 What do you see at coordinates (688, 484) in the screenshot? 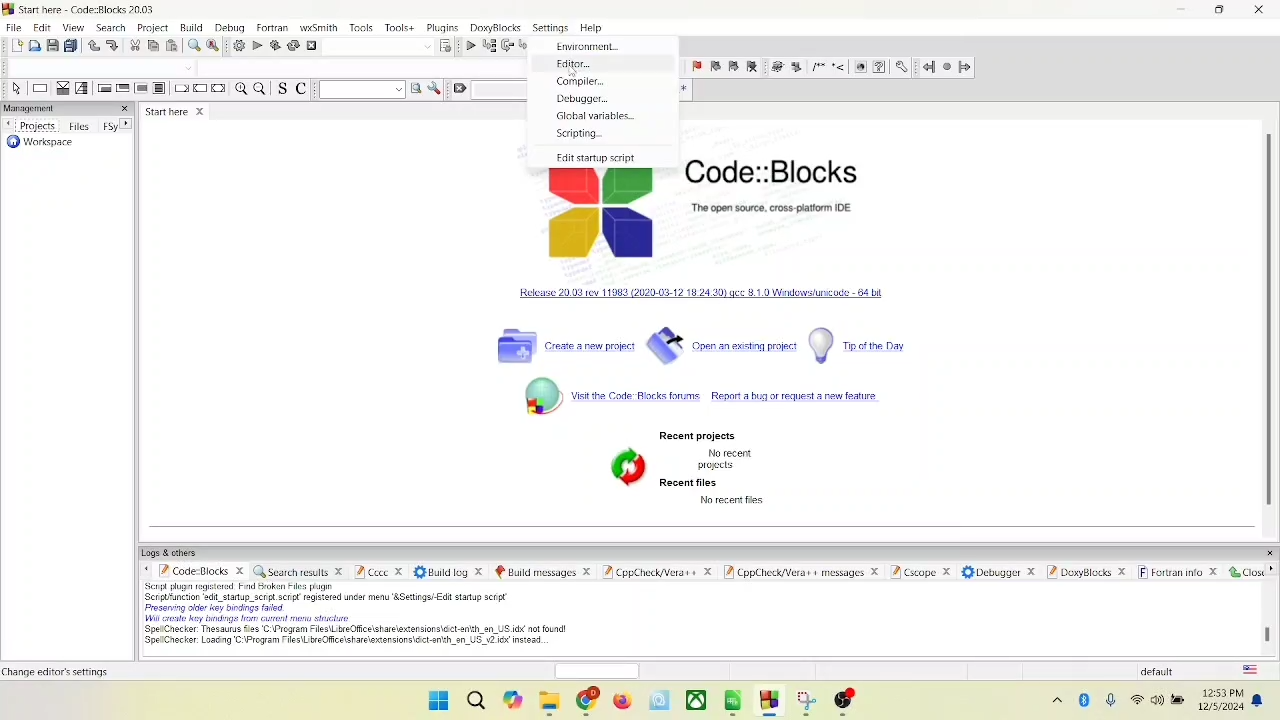
I see `recent files` at bounding box center [688, 484].